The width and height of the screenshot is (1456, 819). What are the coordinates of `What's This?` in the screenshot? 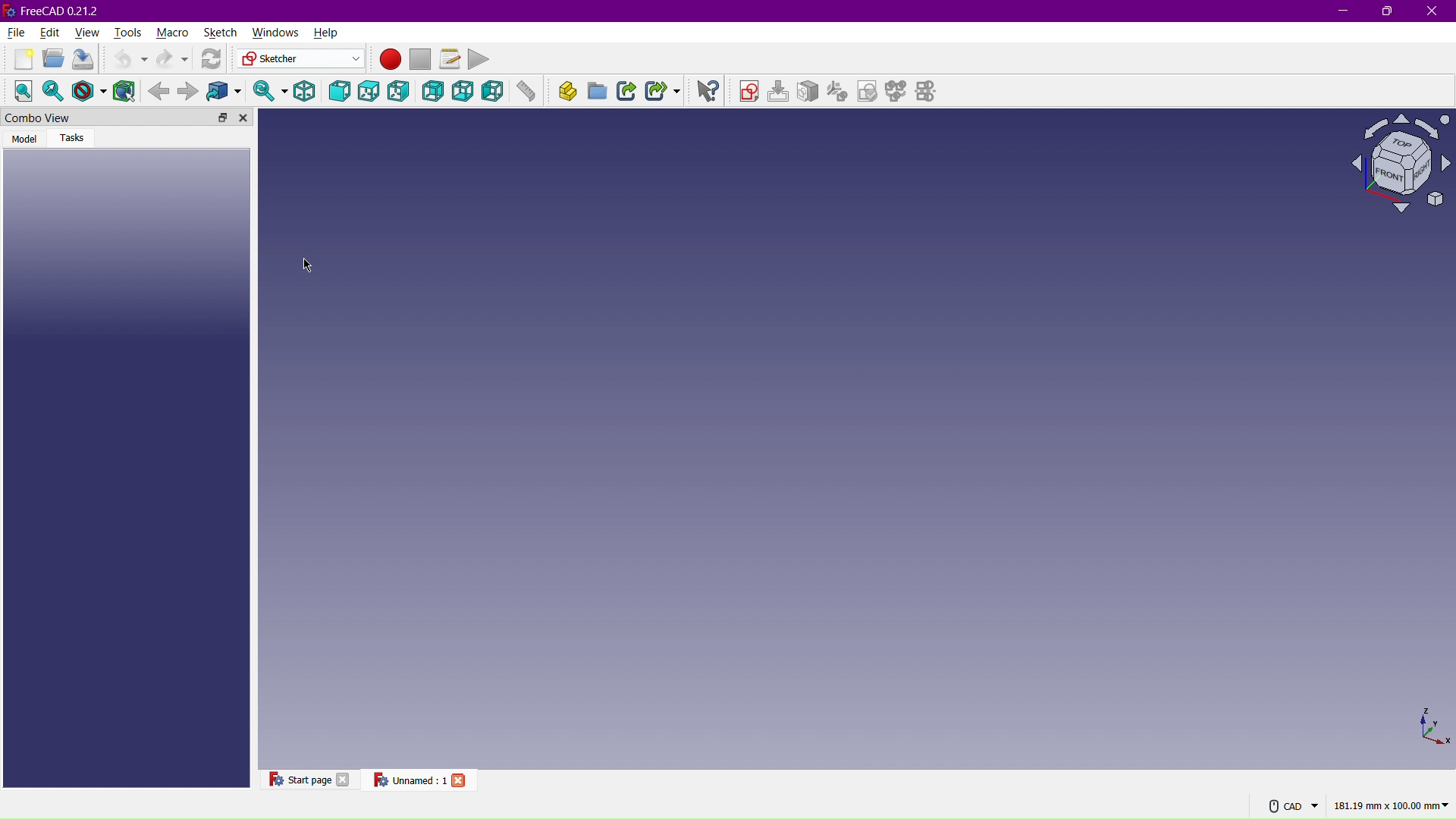 It's located at (705, 89).